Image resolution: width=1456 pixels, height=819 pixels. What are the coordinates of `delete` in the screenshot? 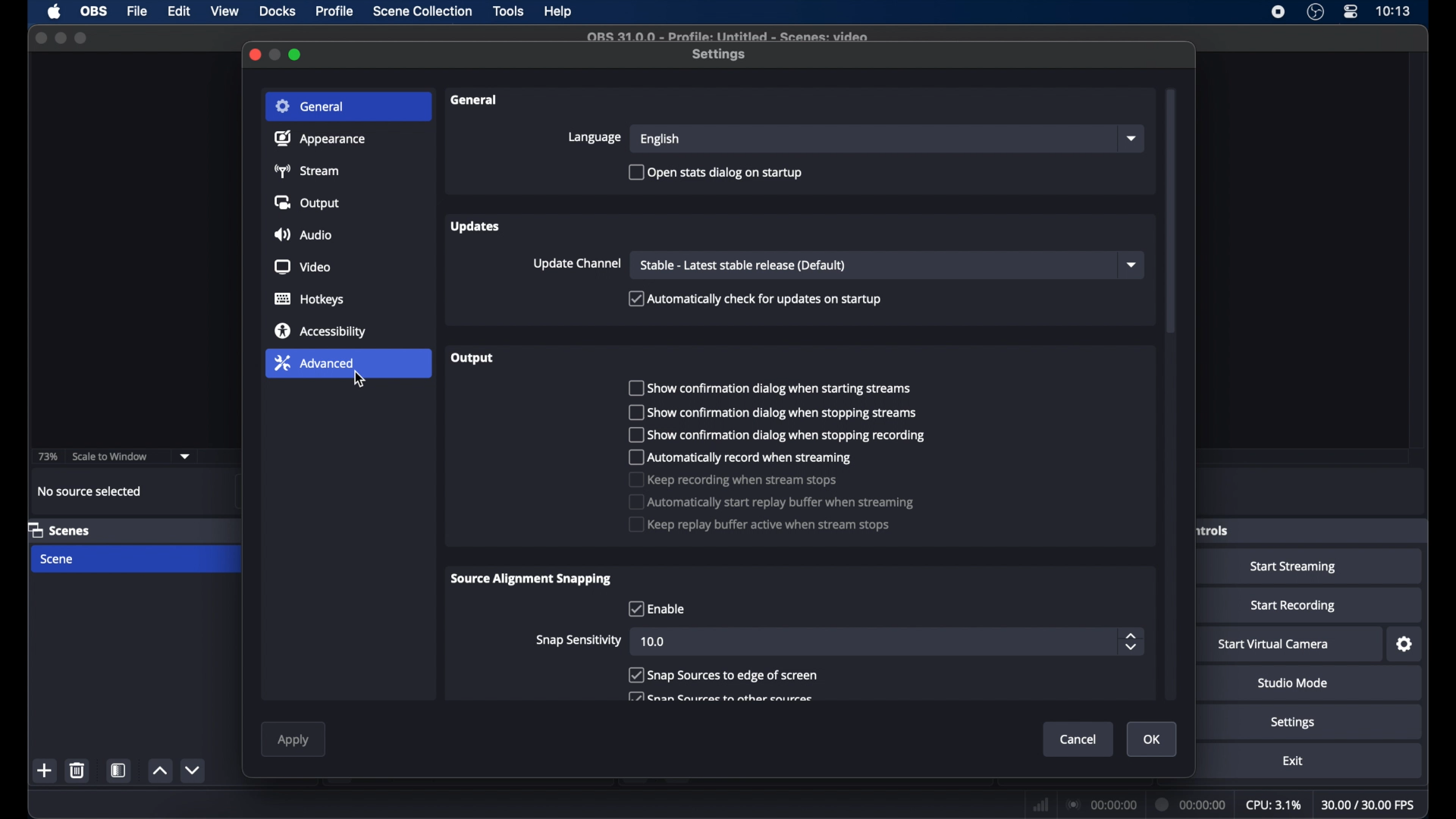 It's located at (77, 770).